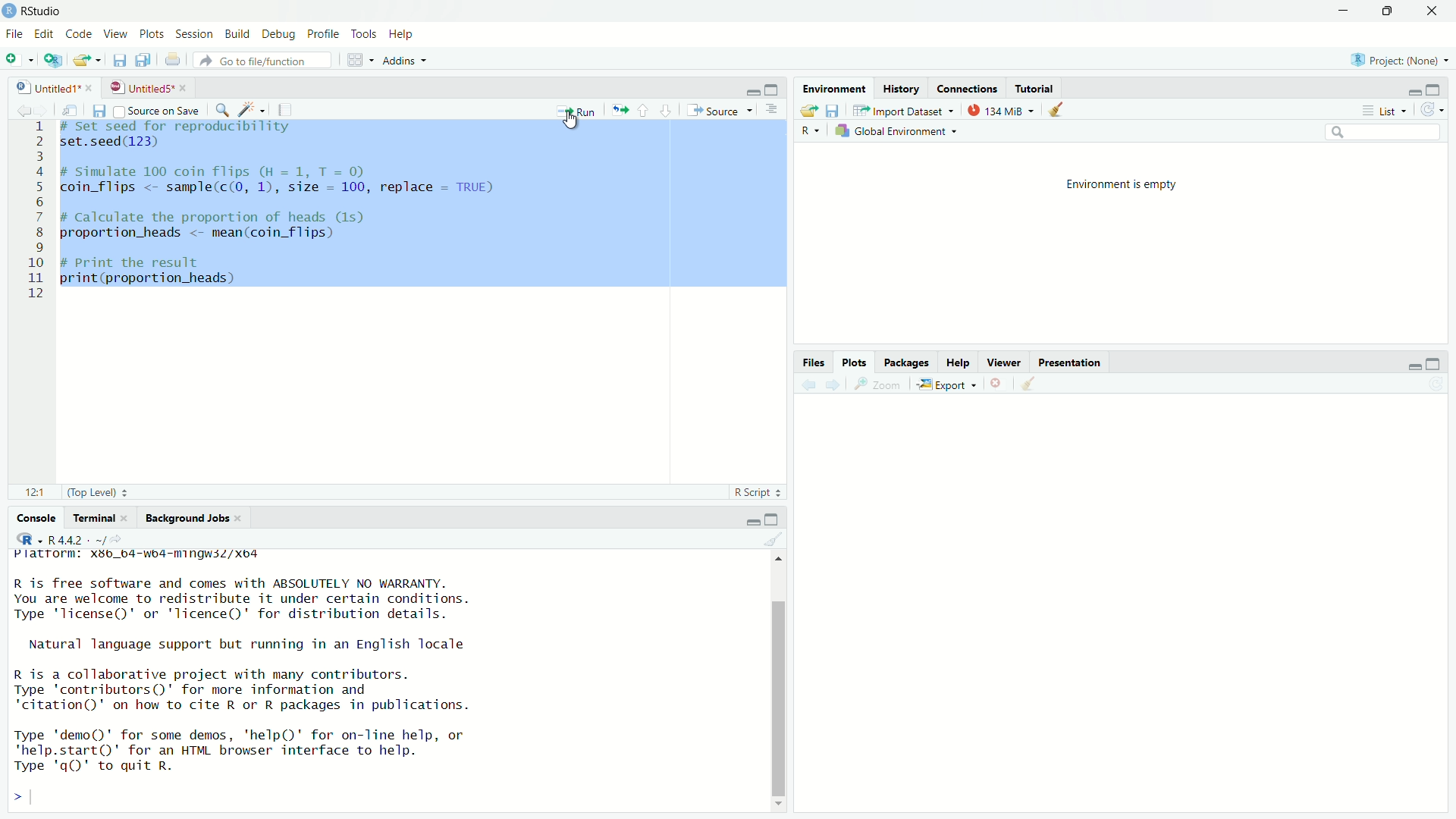 The width and height of the screenshot is (1456, 819). What do you see at coordinates (404, 33) in the screenshot?
I see `help` at bounding box center [404, 33].